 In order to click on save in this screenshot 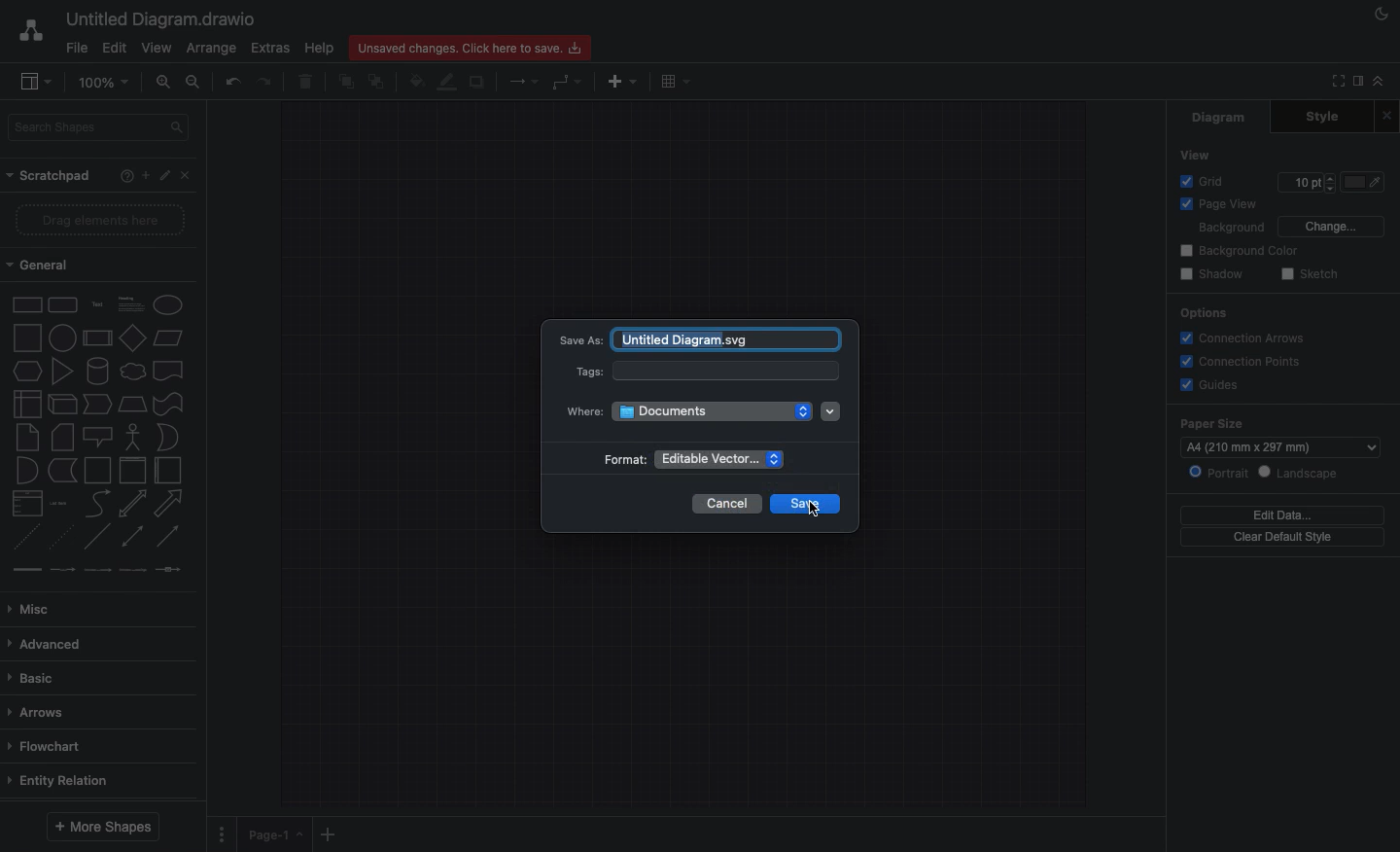, I will do `click(807, 502)`.